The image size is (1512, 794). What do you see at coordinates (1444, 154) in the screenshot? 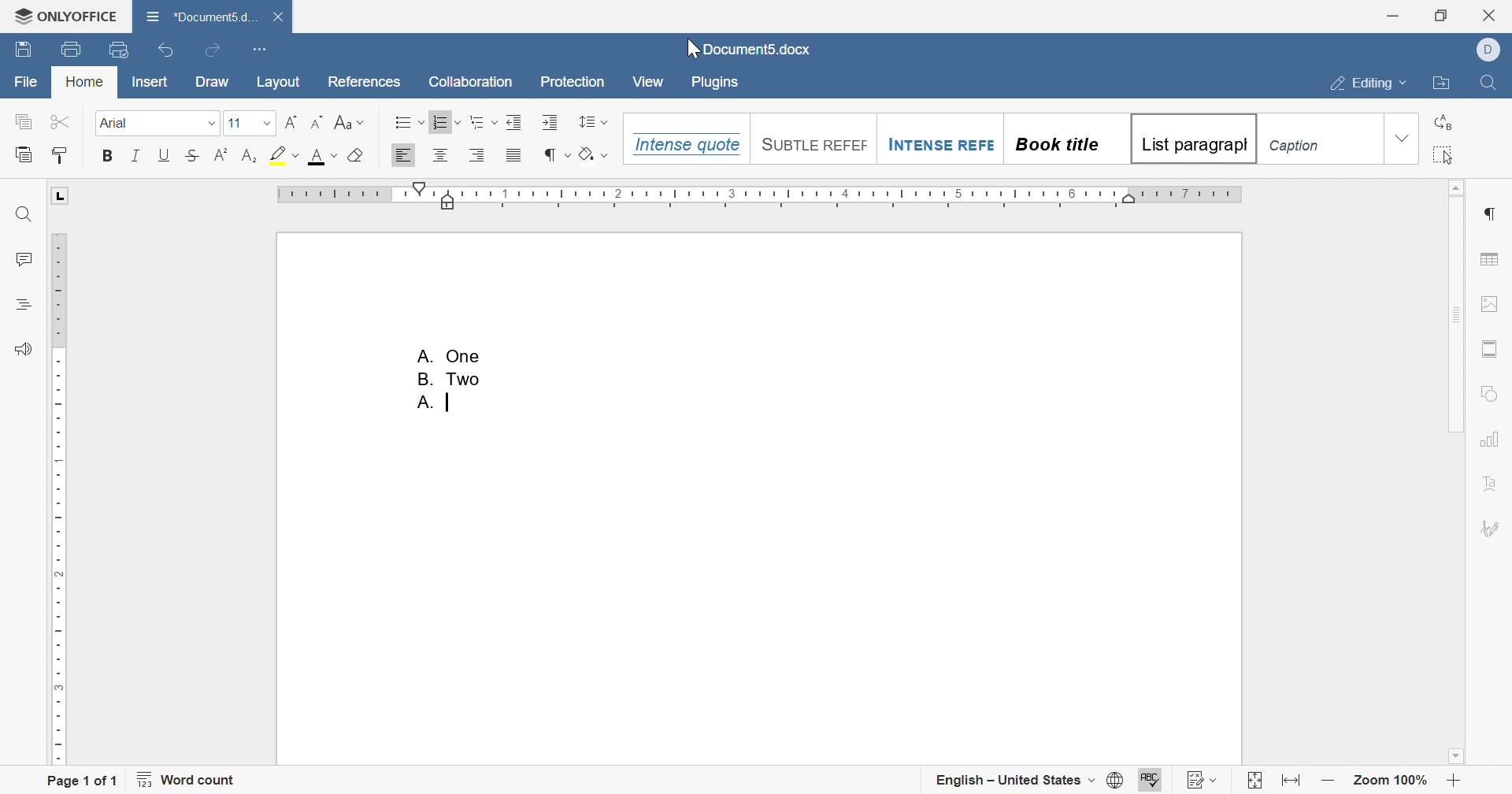
I see `select all` at bounding box center [1444, 154].